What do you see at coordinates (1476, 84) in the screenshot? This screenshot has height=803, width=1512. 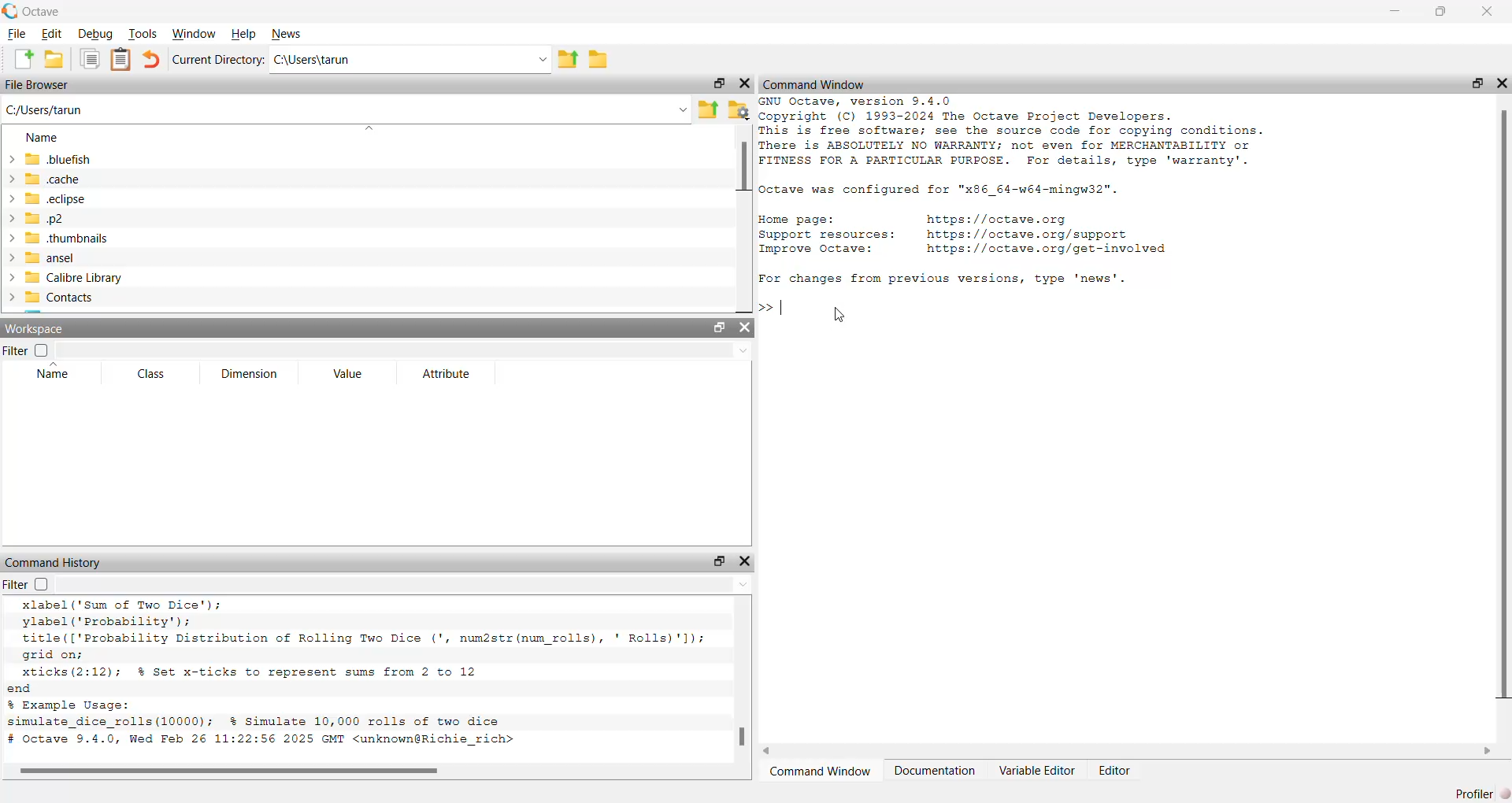 I see `Maximize` at bounding box center [1476, 84].